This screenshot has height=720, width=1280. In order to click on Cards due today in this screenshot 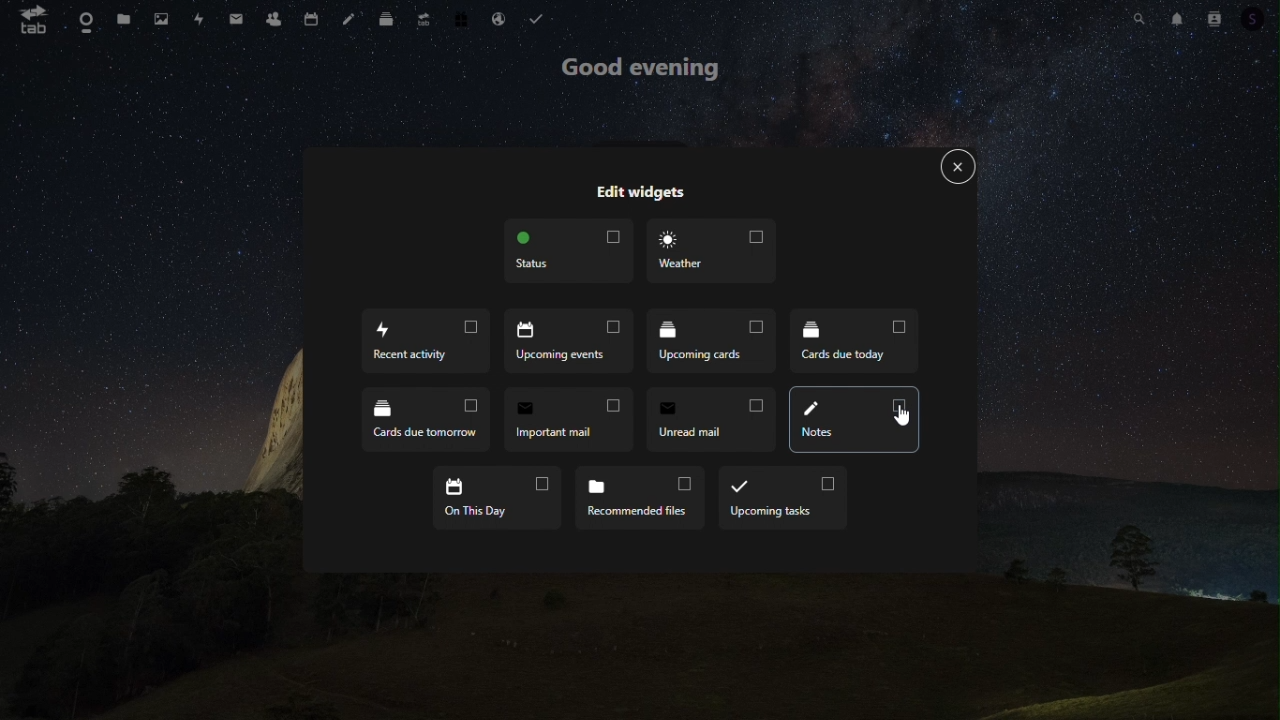, I will do `click(851, 341)`.